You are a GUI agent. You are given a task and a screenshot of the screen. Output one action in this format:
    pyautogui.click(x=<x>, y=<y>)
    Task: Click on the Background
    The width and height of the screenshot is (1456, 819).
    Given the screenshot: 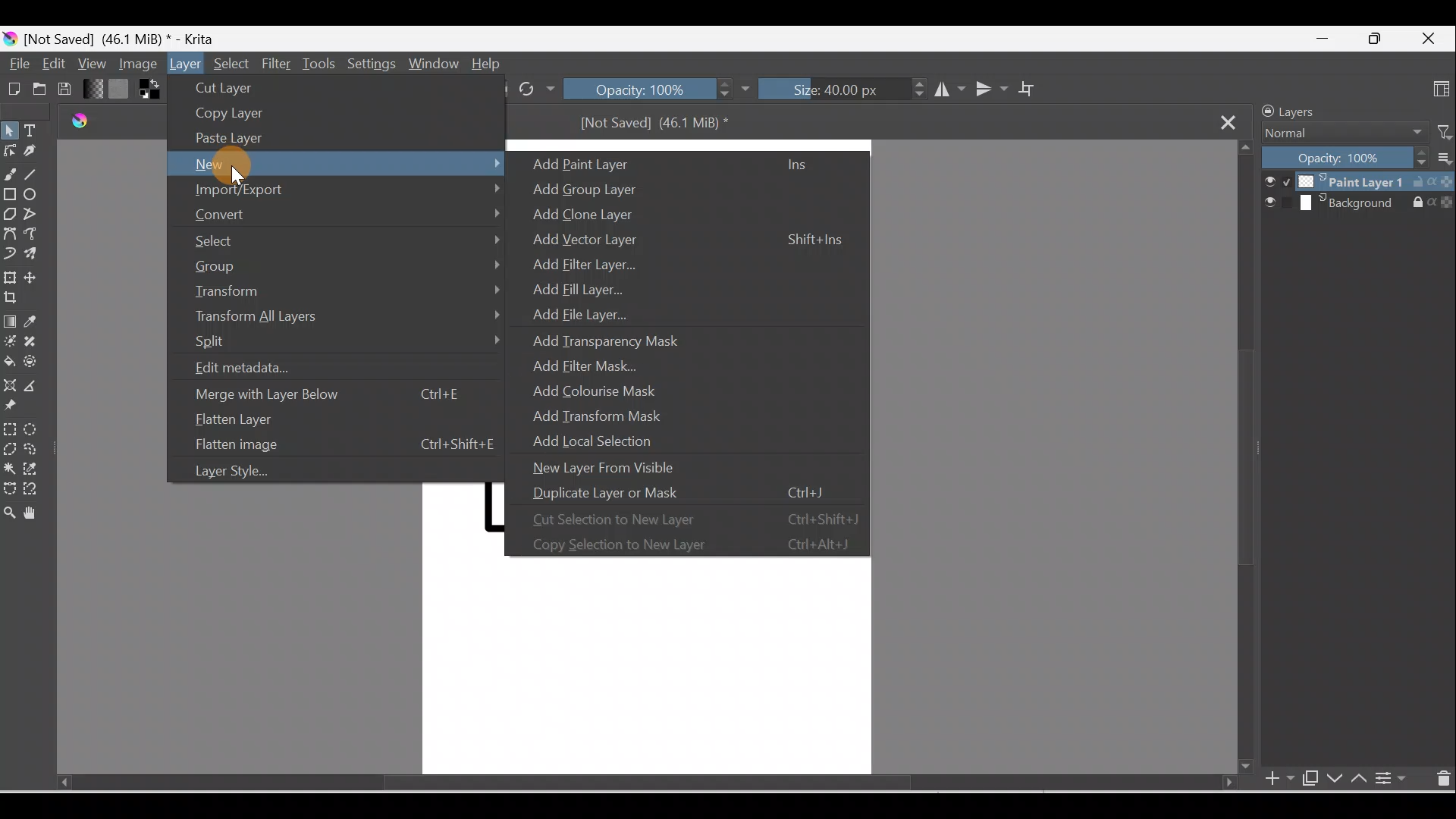 What is the action you would take?
    pyautogui.click(x=1359, y=204)
    